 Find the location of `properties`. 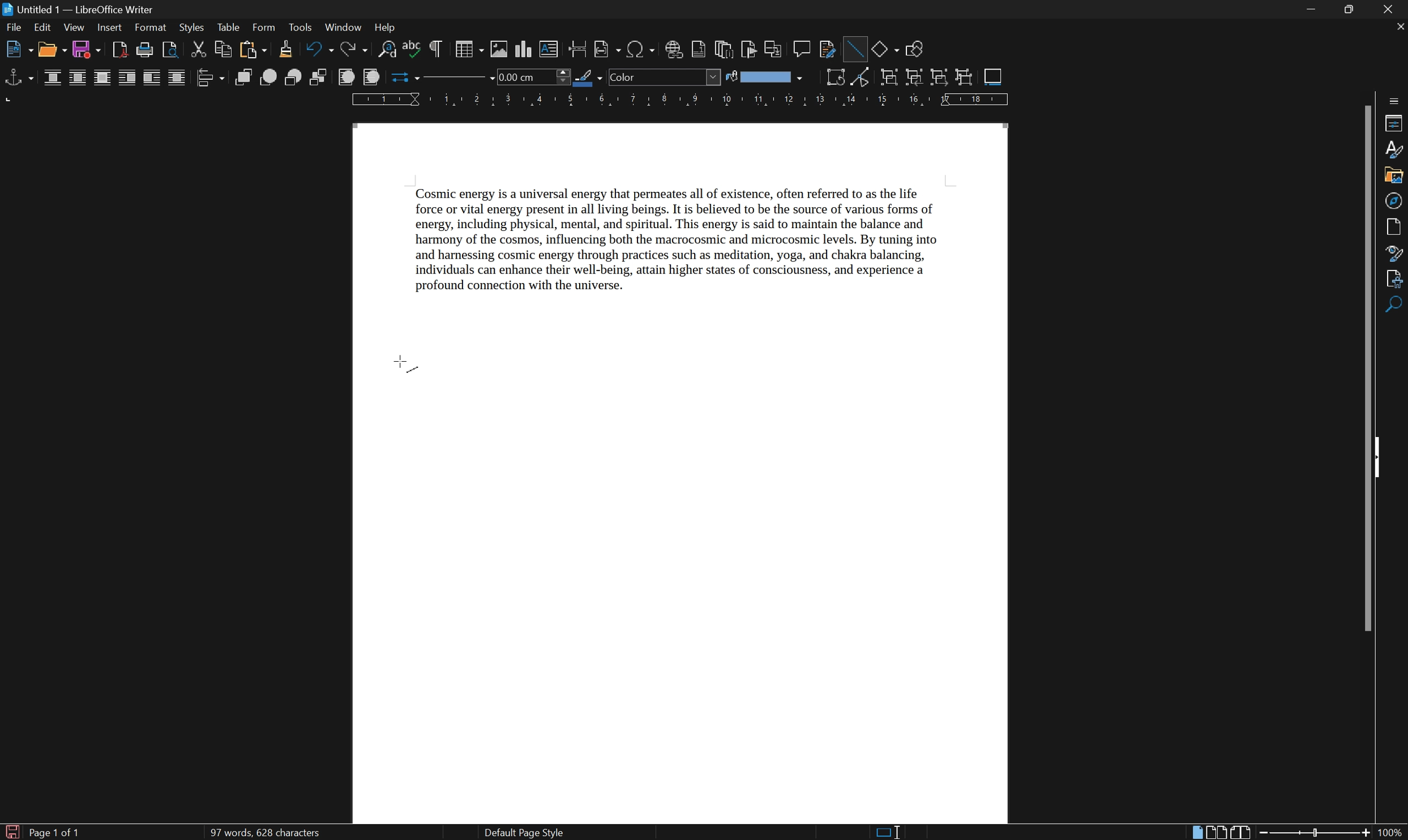

properties is located at coordinates (1394, 123).